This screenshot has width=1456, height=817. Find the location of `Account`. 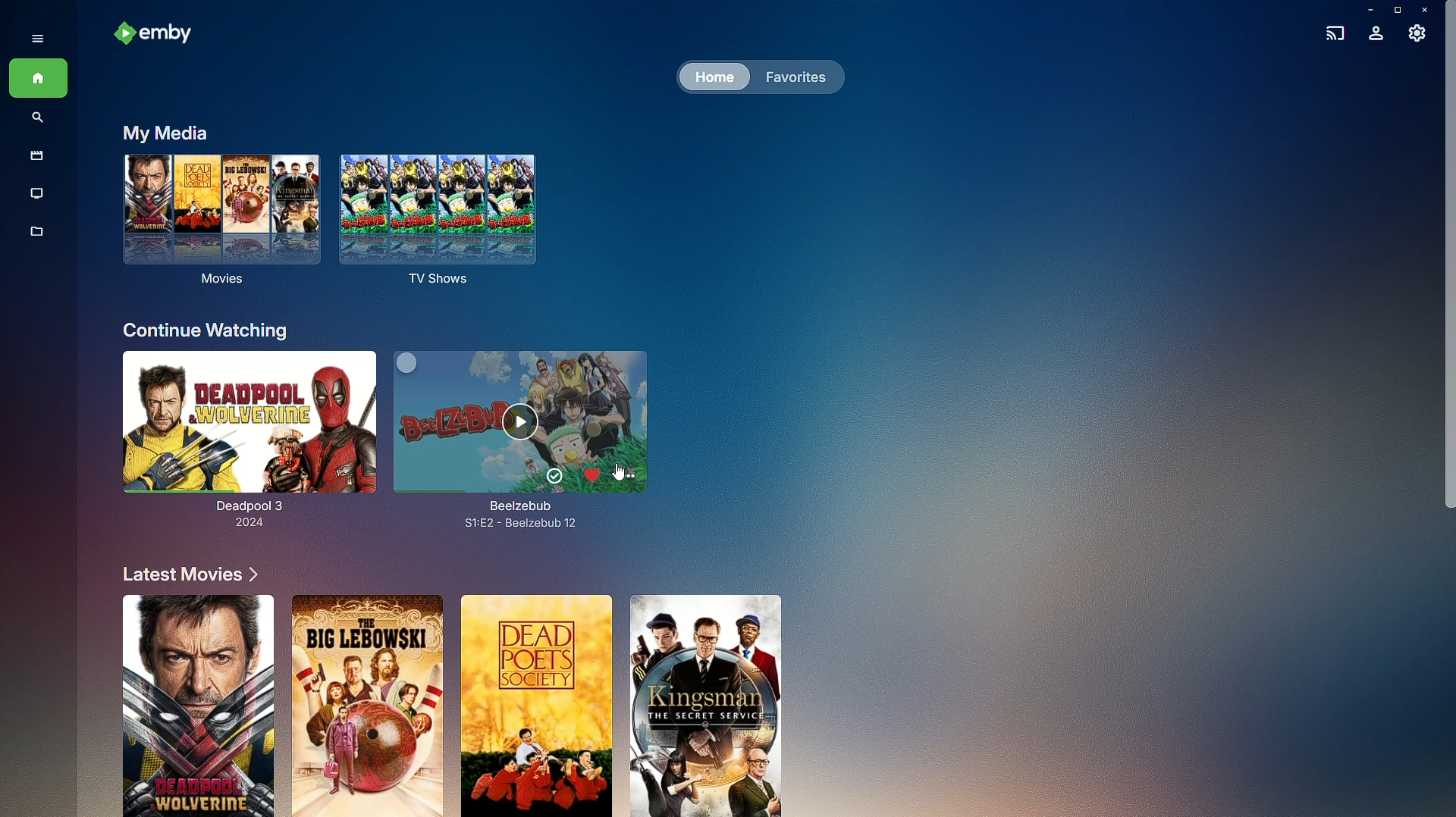

Account is located at coordinates (1376, 35).